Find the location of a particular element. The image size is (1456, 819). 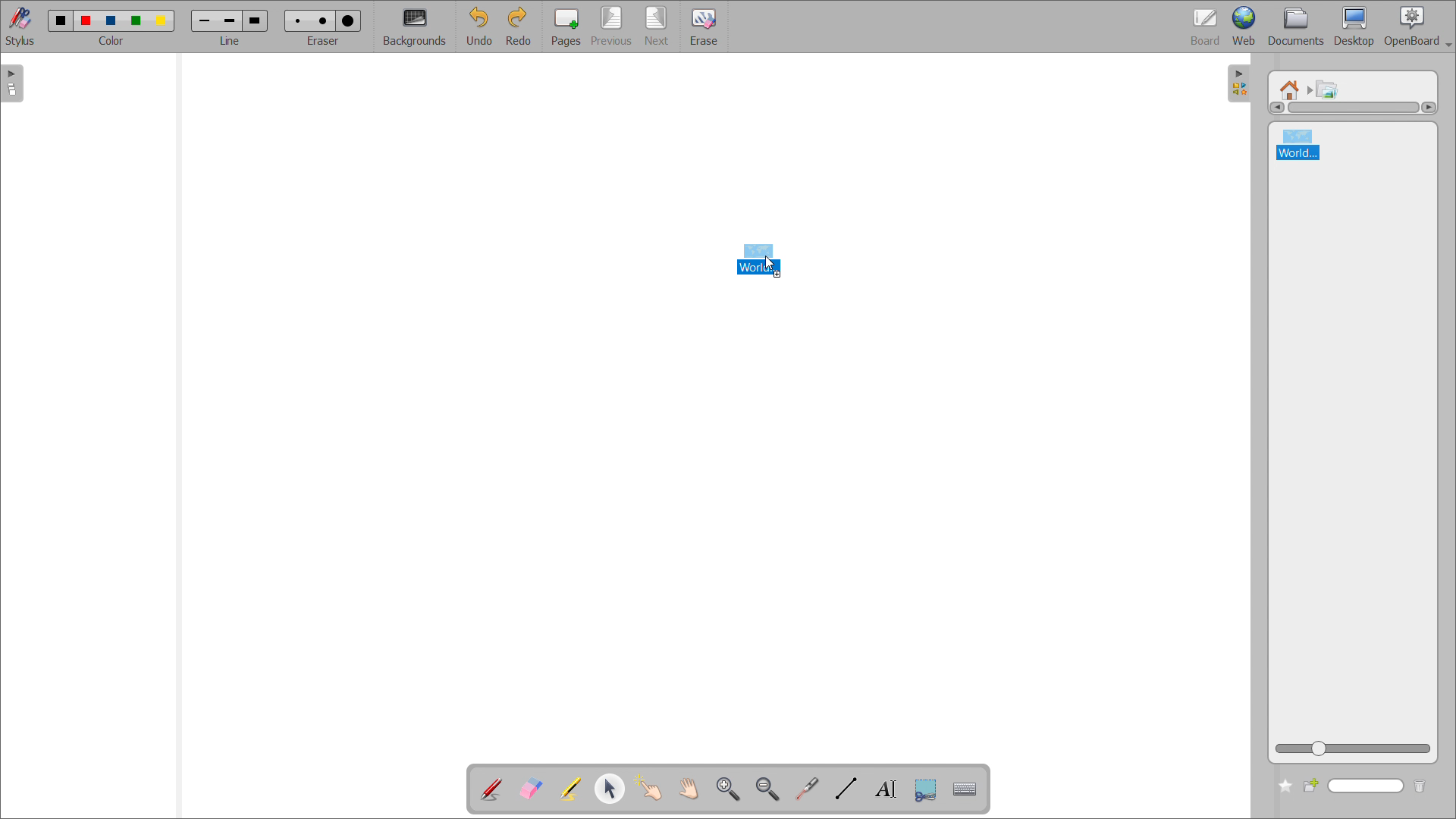

board is located at coordinates (1206, 27).